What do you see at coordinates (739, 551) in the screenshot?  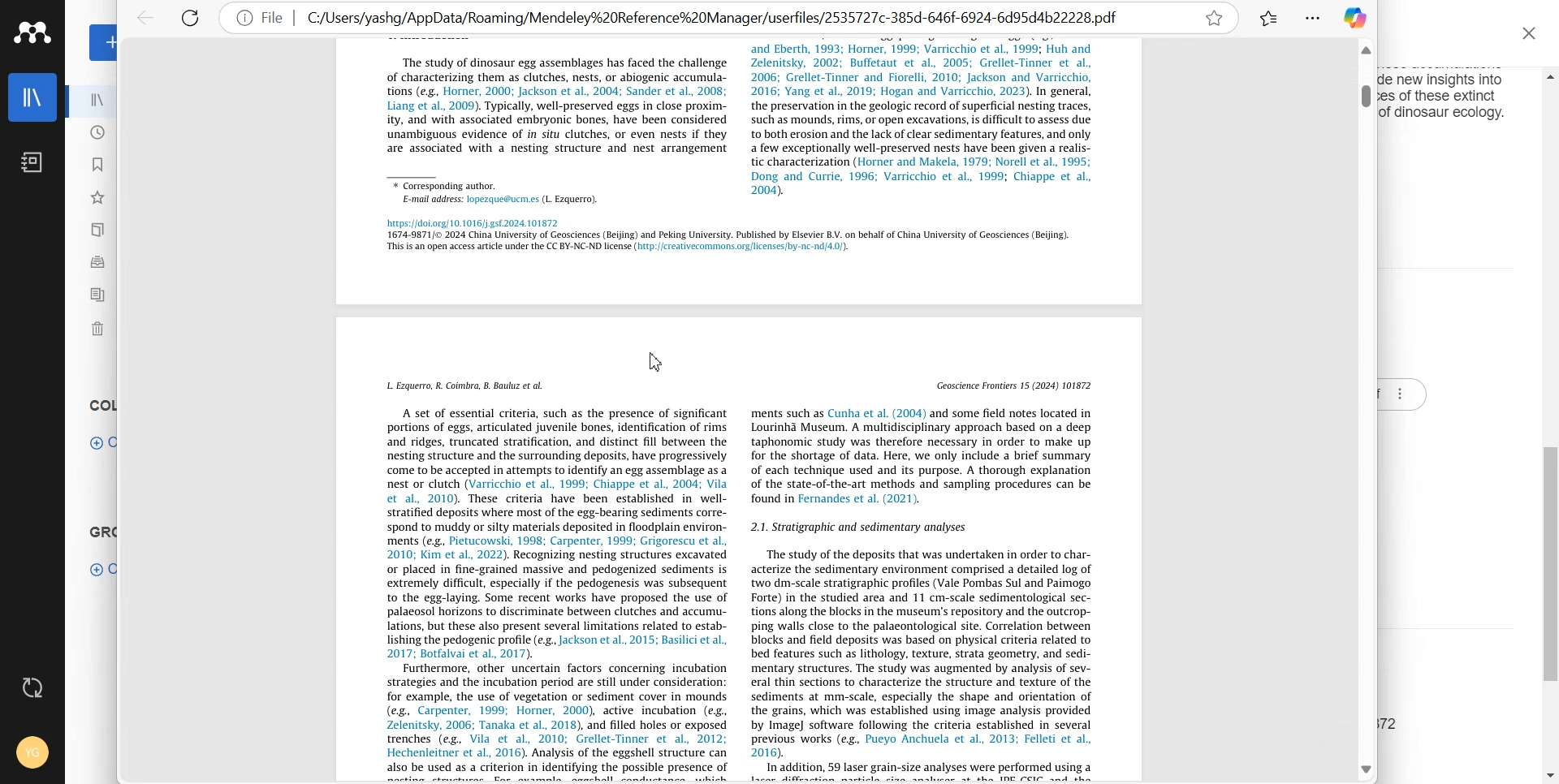 I see `Page of Large dinosaur egg accumulations and their significance for understanding nesting behaviour` at bounding box center [739, 551].